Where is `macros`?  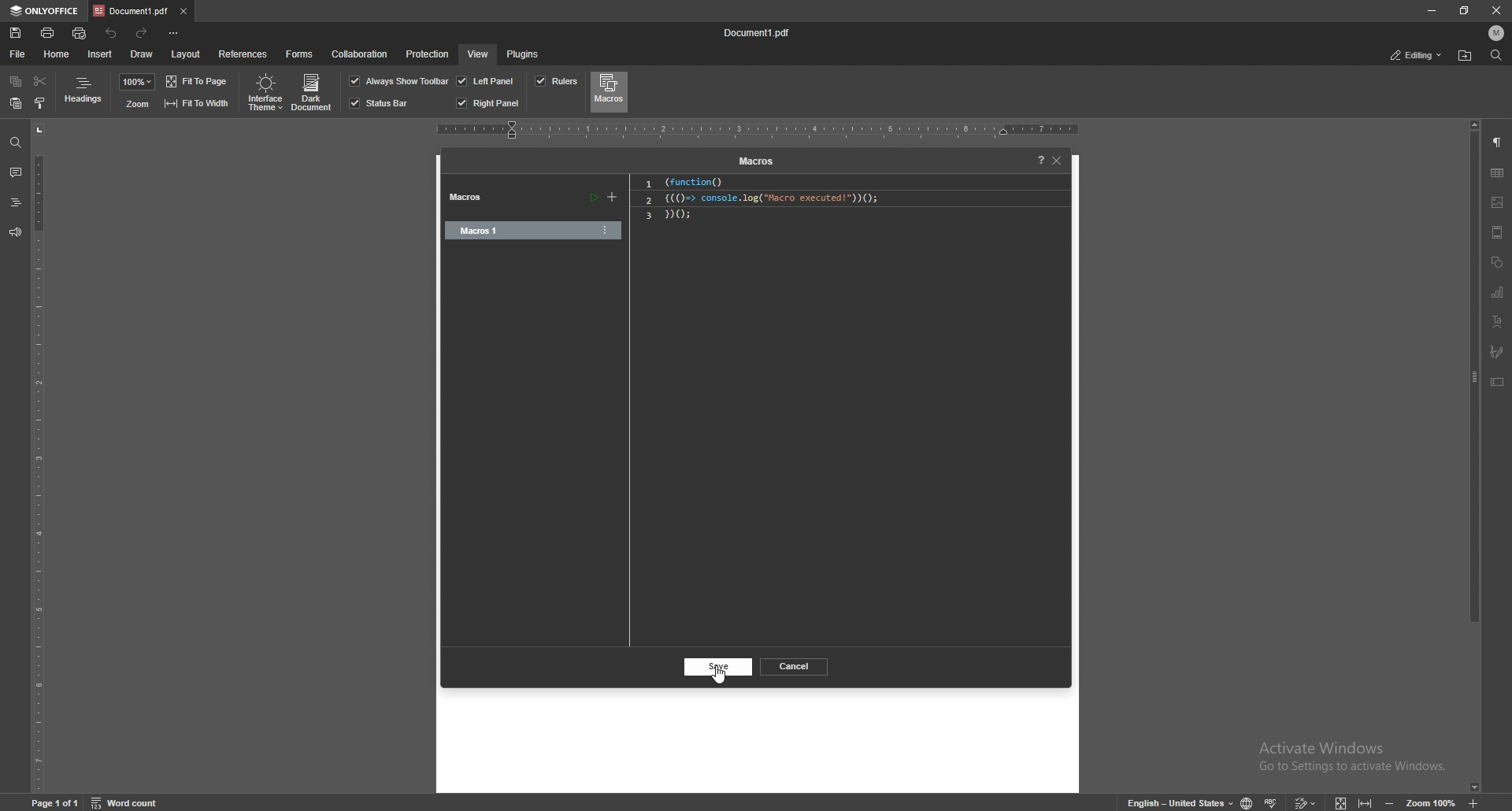 macros is located at coordinates (609, 91).